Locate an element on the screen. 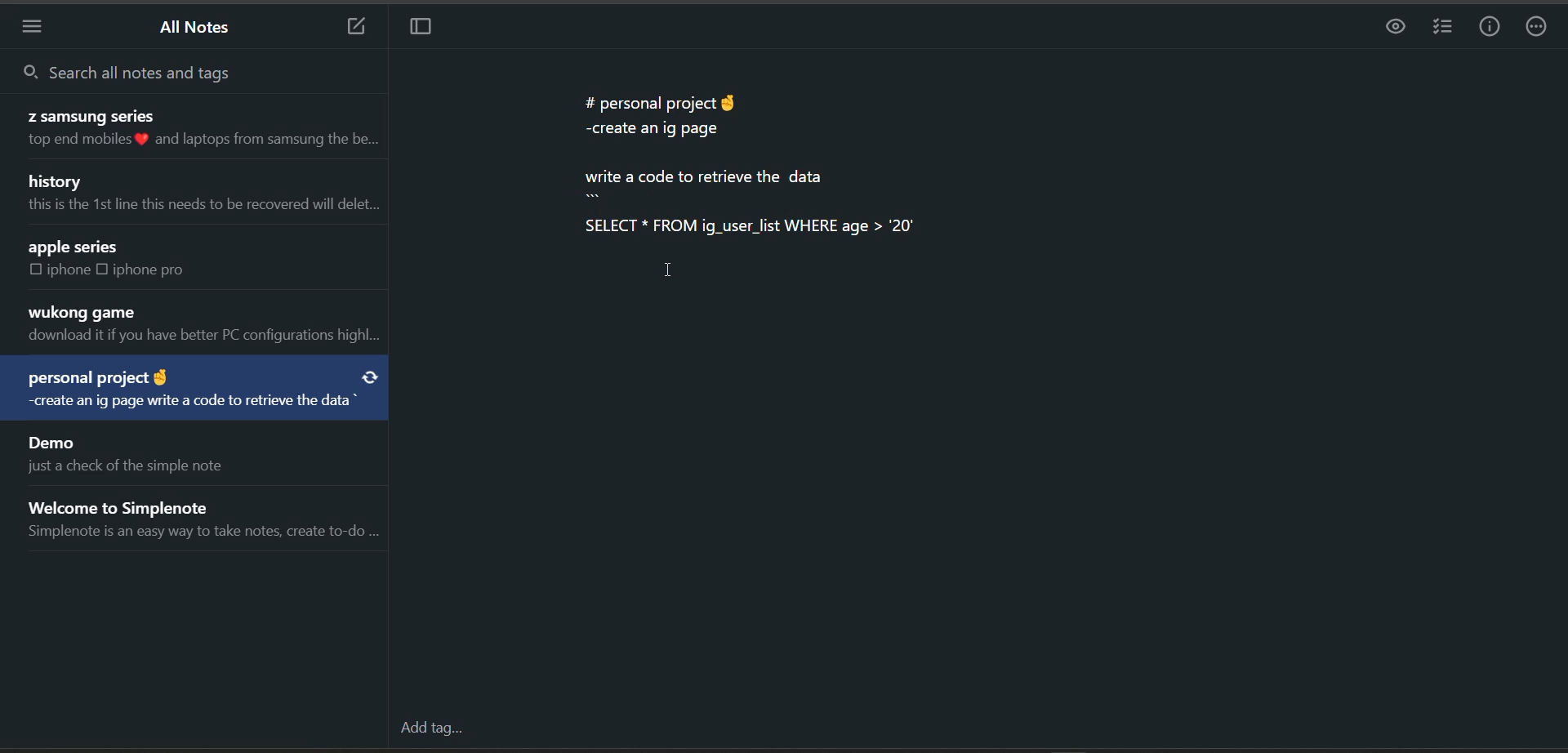 The height and width of the screenshot is (753, 1568). note title  and preview is located at coordinates (169, 259).